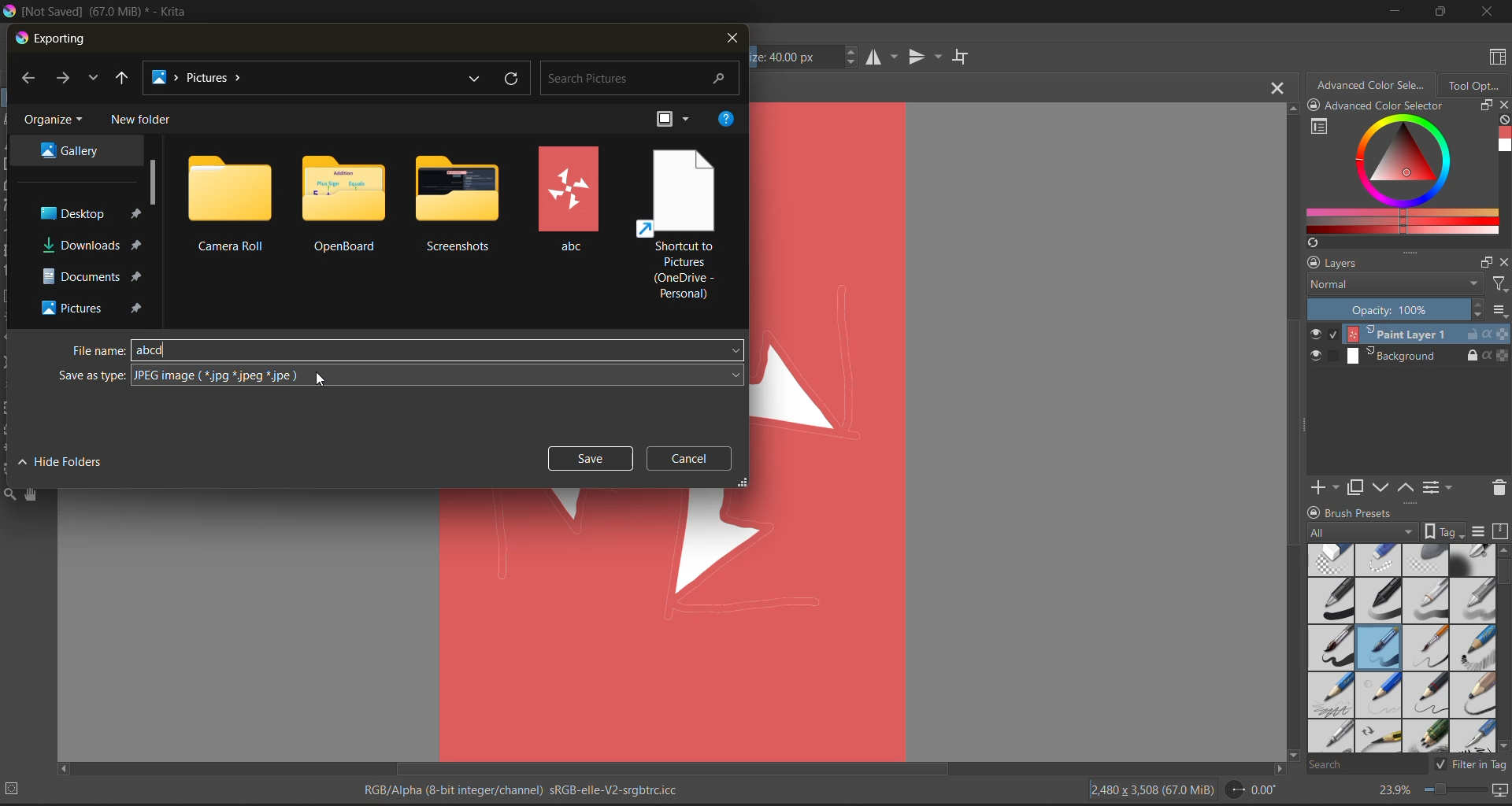 The height and width of the screenshot is (806, 1512). I want to click on folders and files, so click(347, 201).